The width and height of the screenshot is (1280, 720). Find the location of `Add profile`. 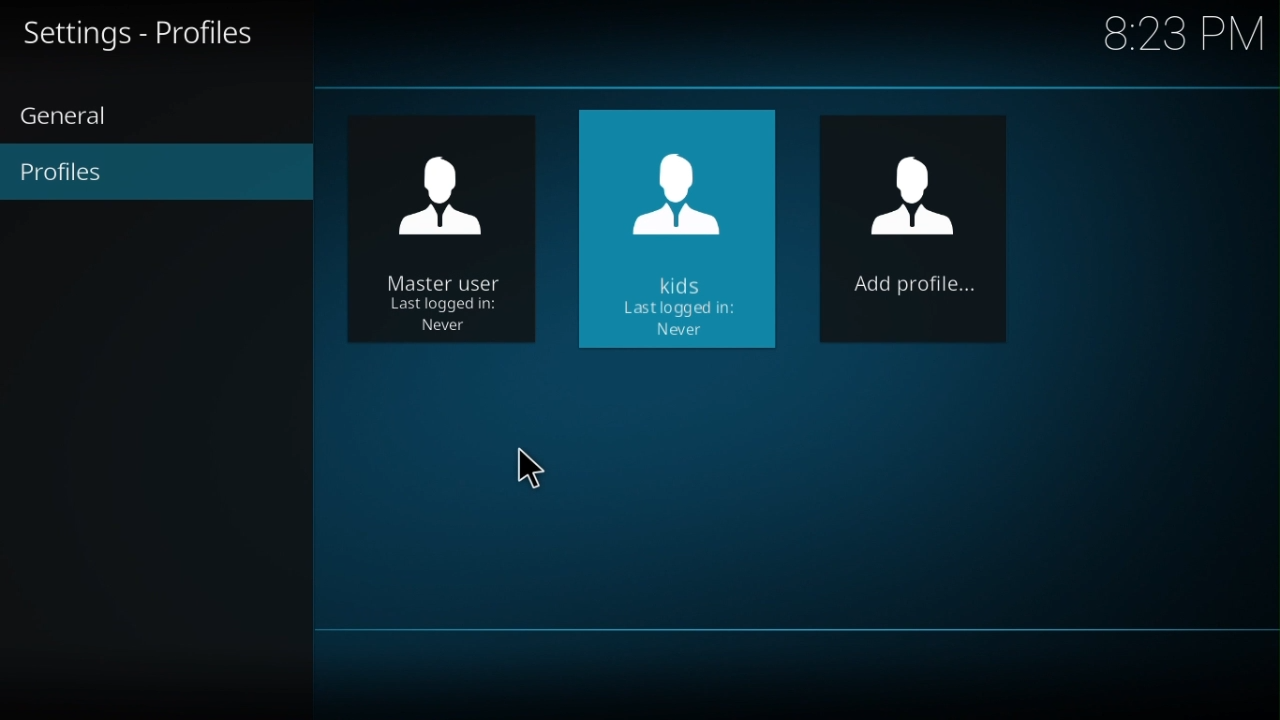

Add profile is located at coordinates (914, 230).